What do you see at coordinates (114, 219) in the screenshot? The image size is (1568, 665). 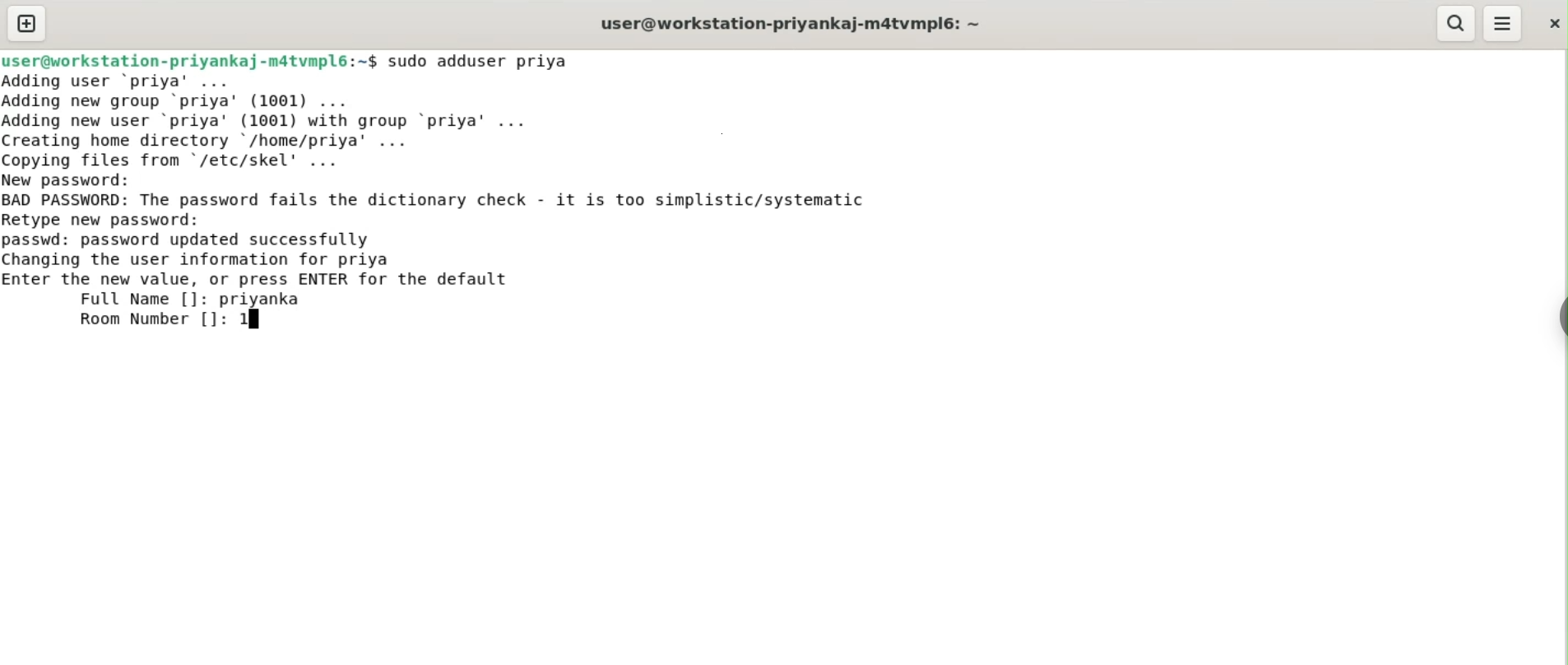 I see `retype new password:` at bounding box center [114, 219].